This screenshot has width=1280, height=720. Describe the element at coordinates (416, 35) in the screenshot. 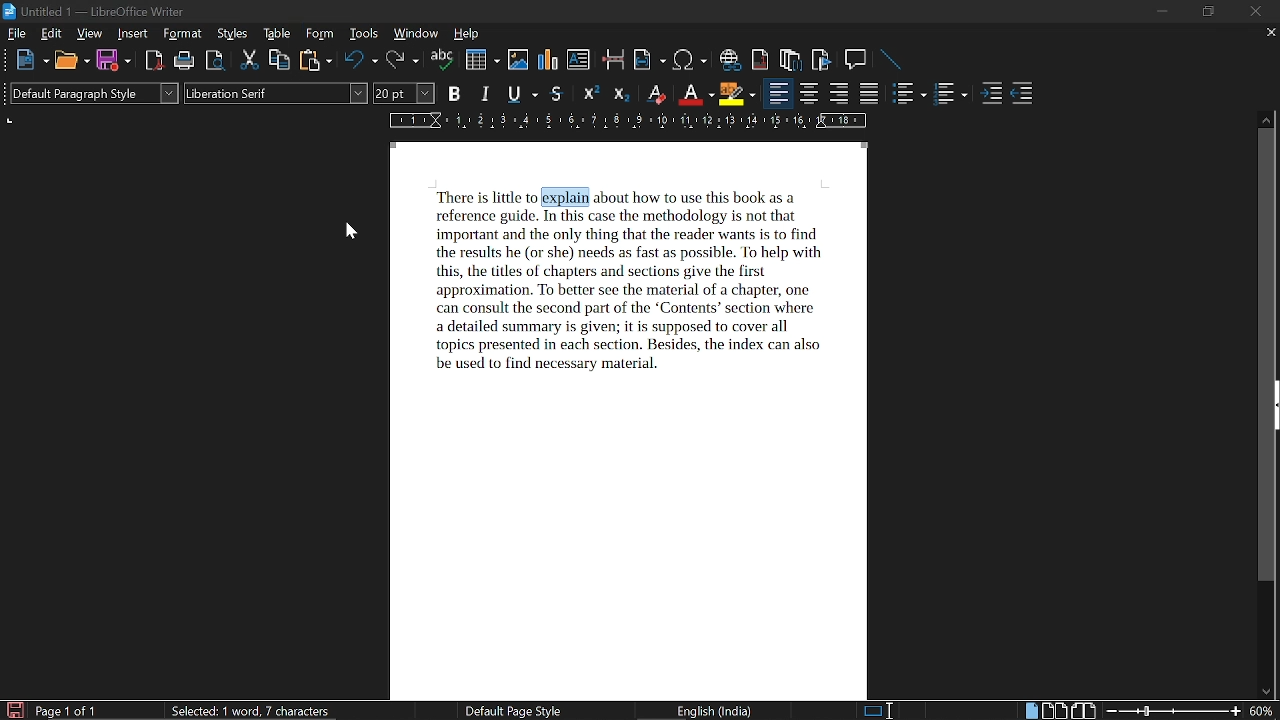

I see `window` at that location.